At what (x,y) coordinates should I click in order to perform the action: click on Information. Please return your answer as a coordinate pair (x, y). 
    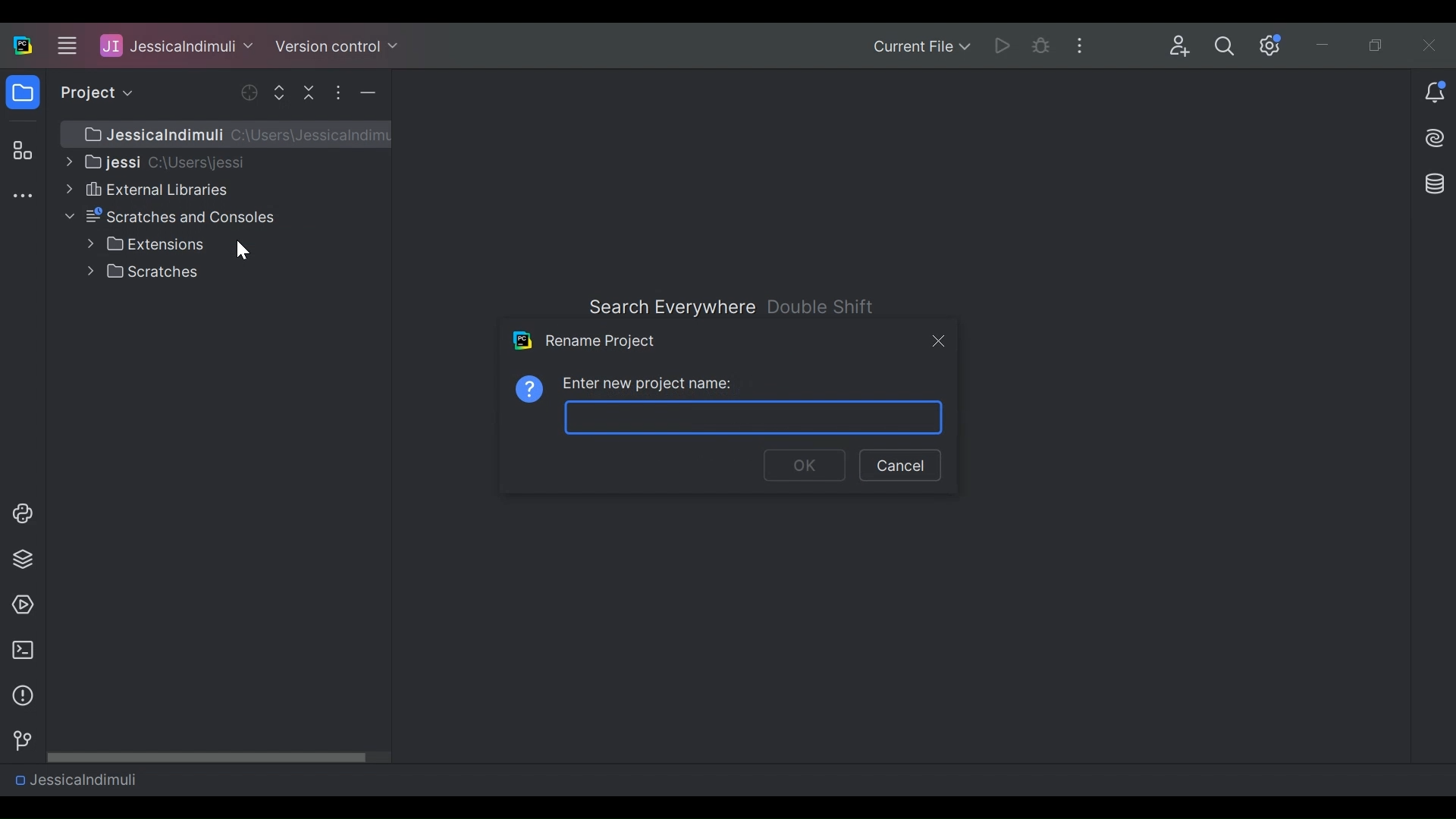
    Looking at the image, I should click on (530, 388).